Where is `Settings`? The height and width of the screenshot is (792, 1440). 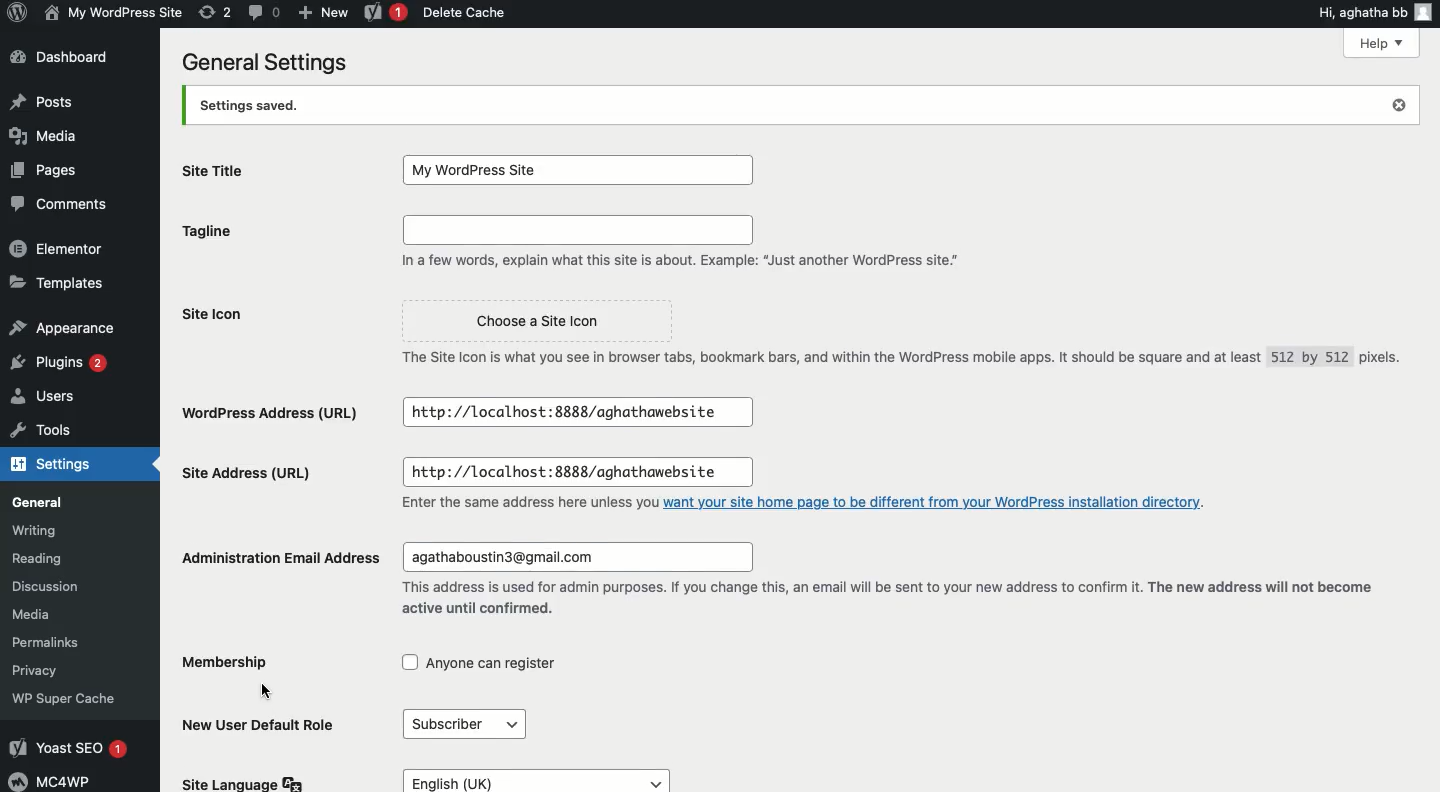 Settings is located at coordinates (53, 464).